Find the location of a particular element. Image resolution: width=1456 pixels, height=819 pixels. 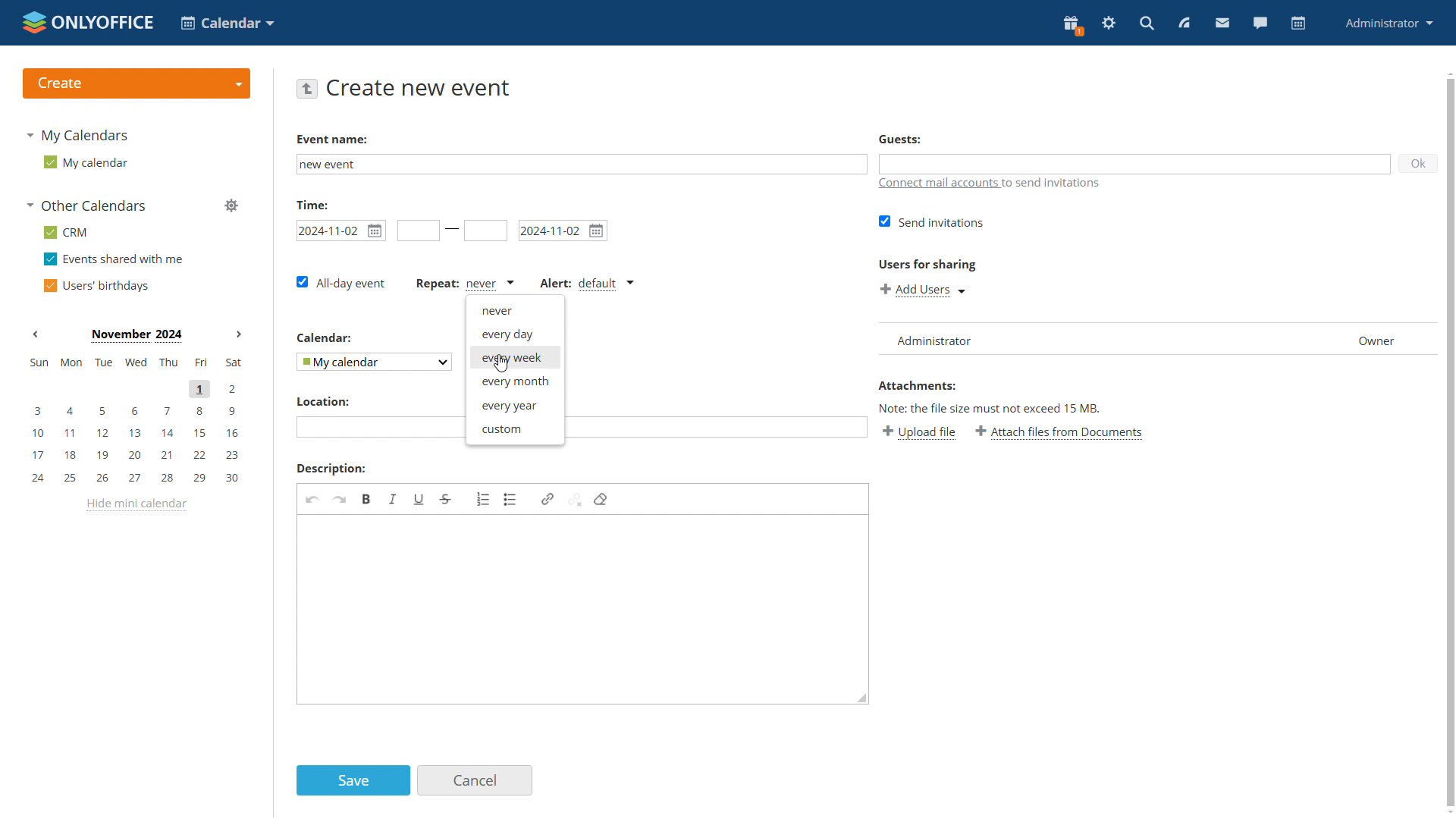

scroll down is located at coordinates (1447, 813).